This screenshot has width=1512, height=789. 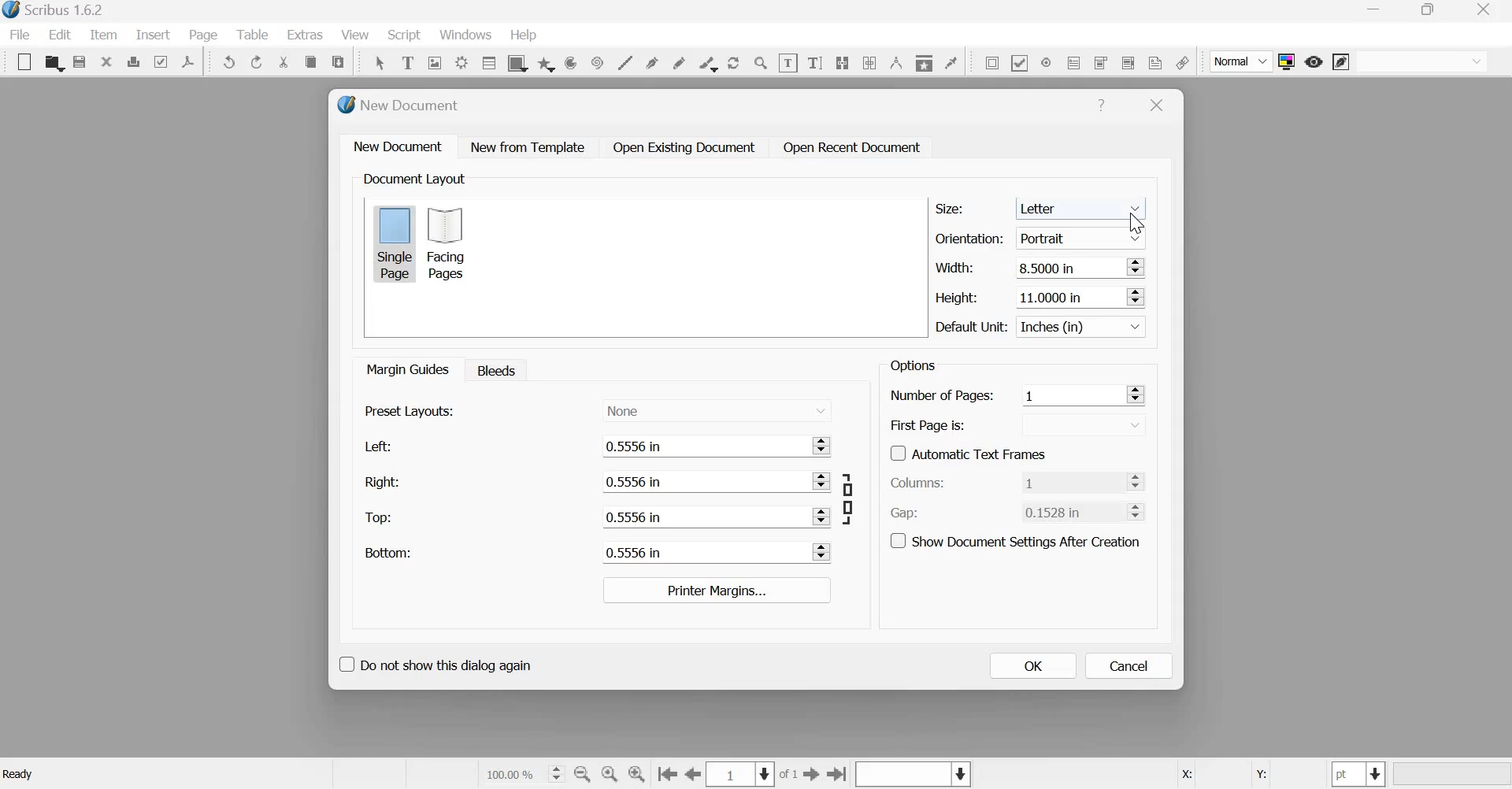 I want to click on 11.0000 in, so click(x=1063, y=295).